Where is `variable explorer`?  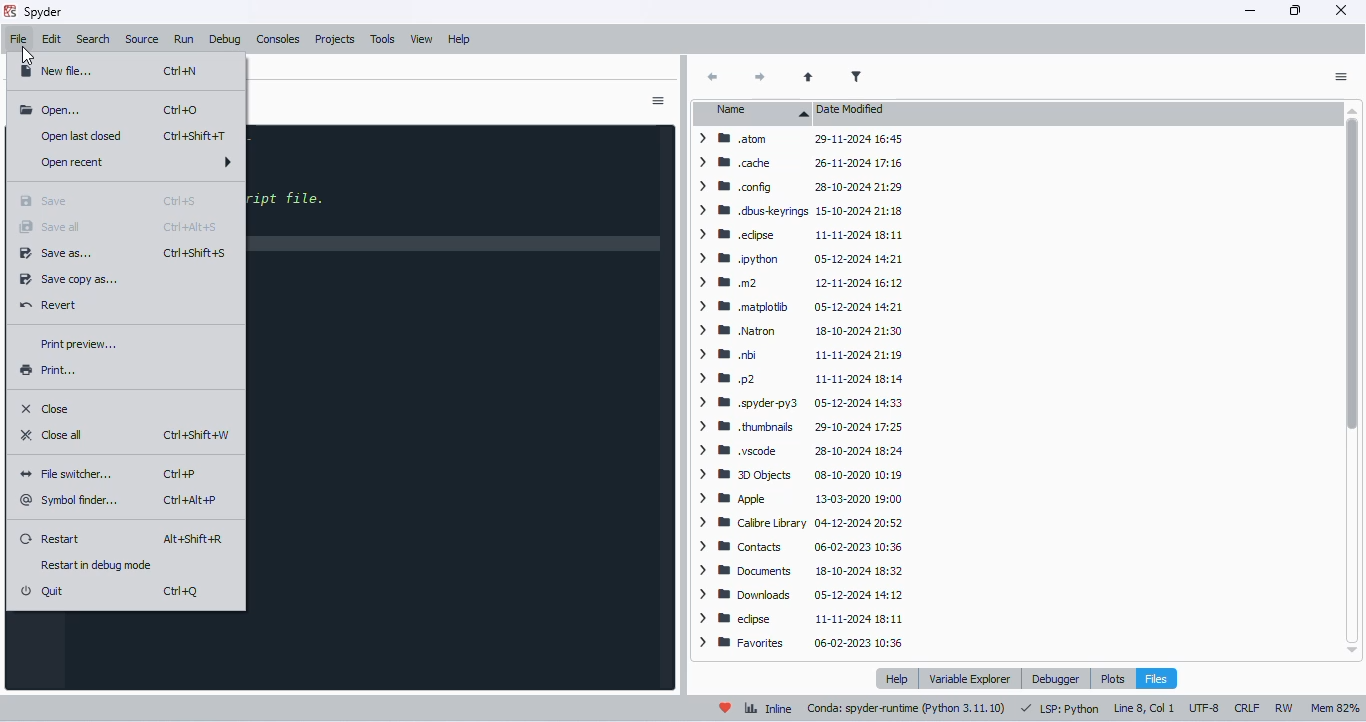
variable explorer is located at coordinates (968, 679).